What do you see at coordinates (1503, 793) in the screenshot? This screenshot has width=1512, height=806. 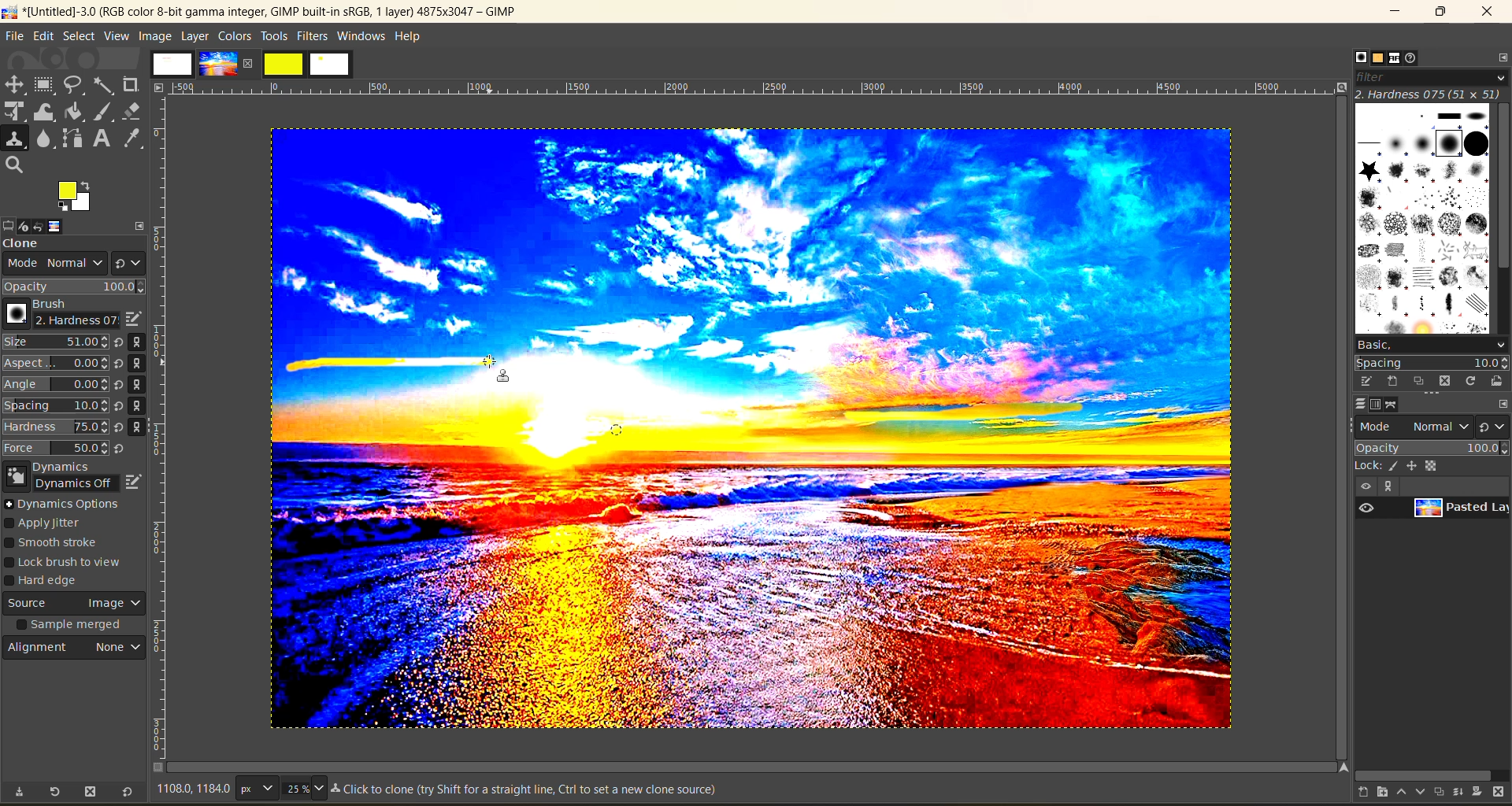 I see `delete this layer` at bounding box center [1503, 793].